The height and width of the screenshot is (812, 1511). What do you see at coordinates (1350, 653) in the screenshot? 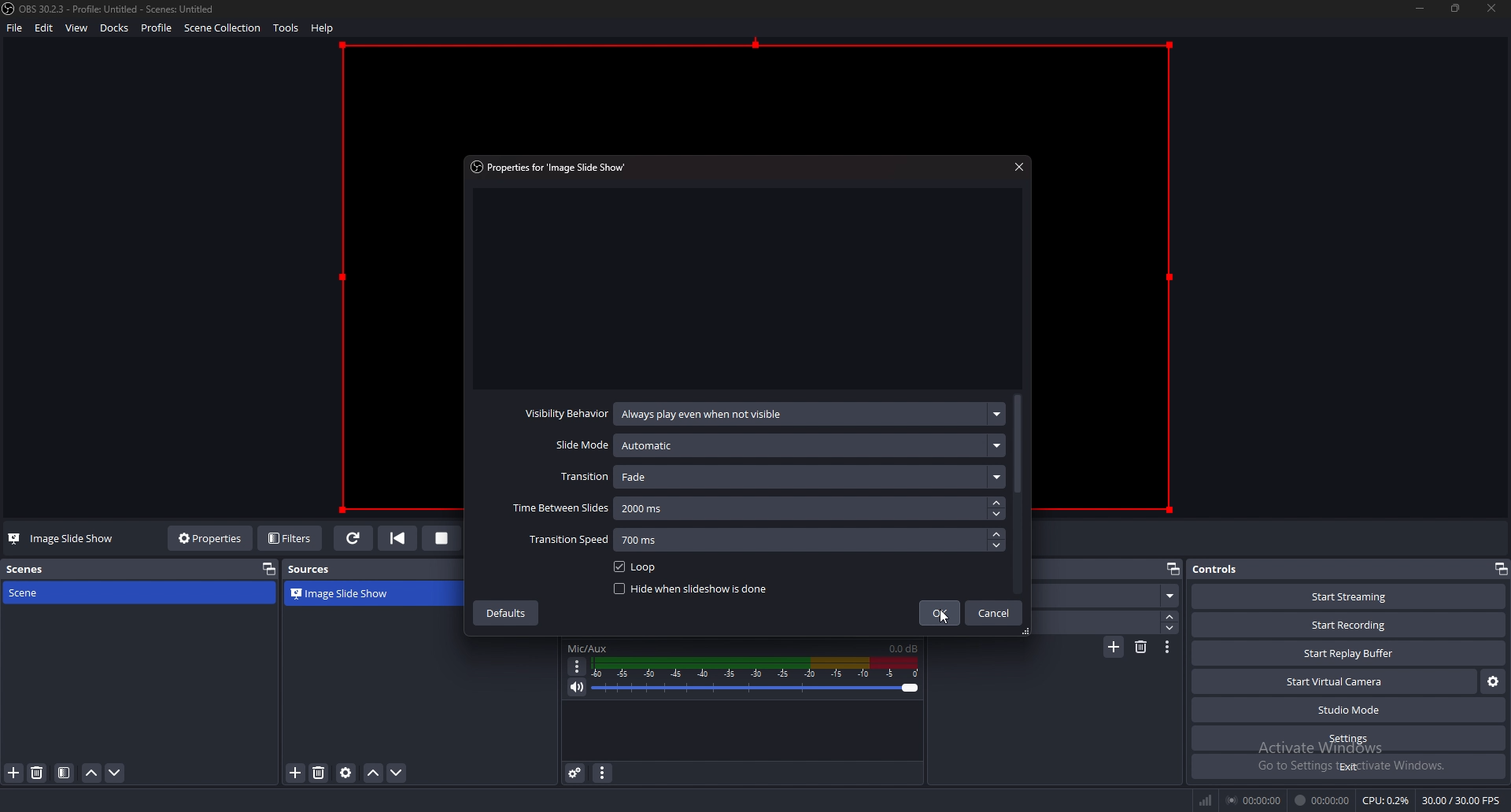
I see `start replay buffer` at bounding box center [1350, 653].